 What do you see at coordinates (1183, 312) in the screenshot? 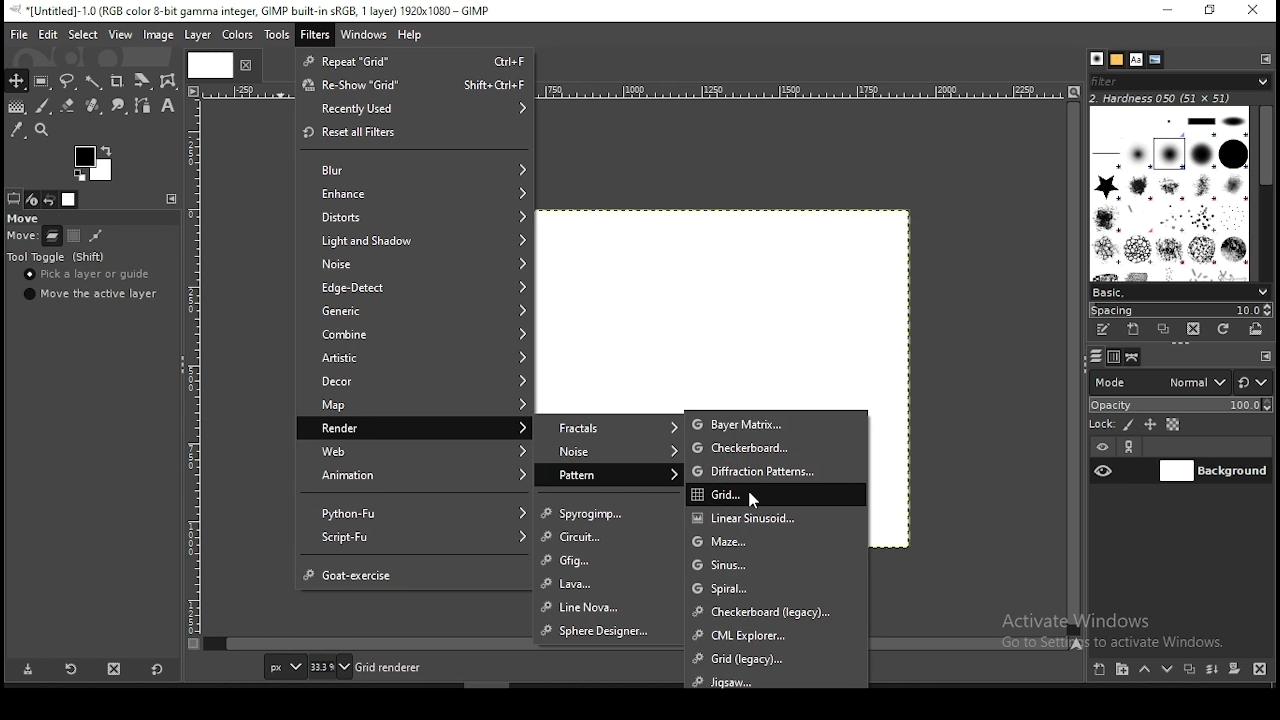
I see `spacing` at bounding box center [1183, 312].